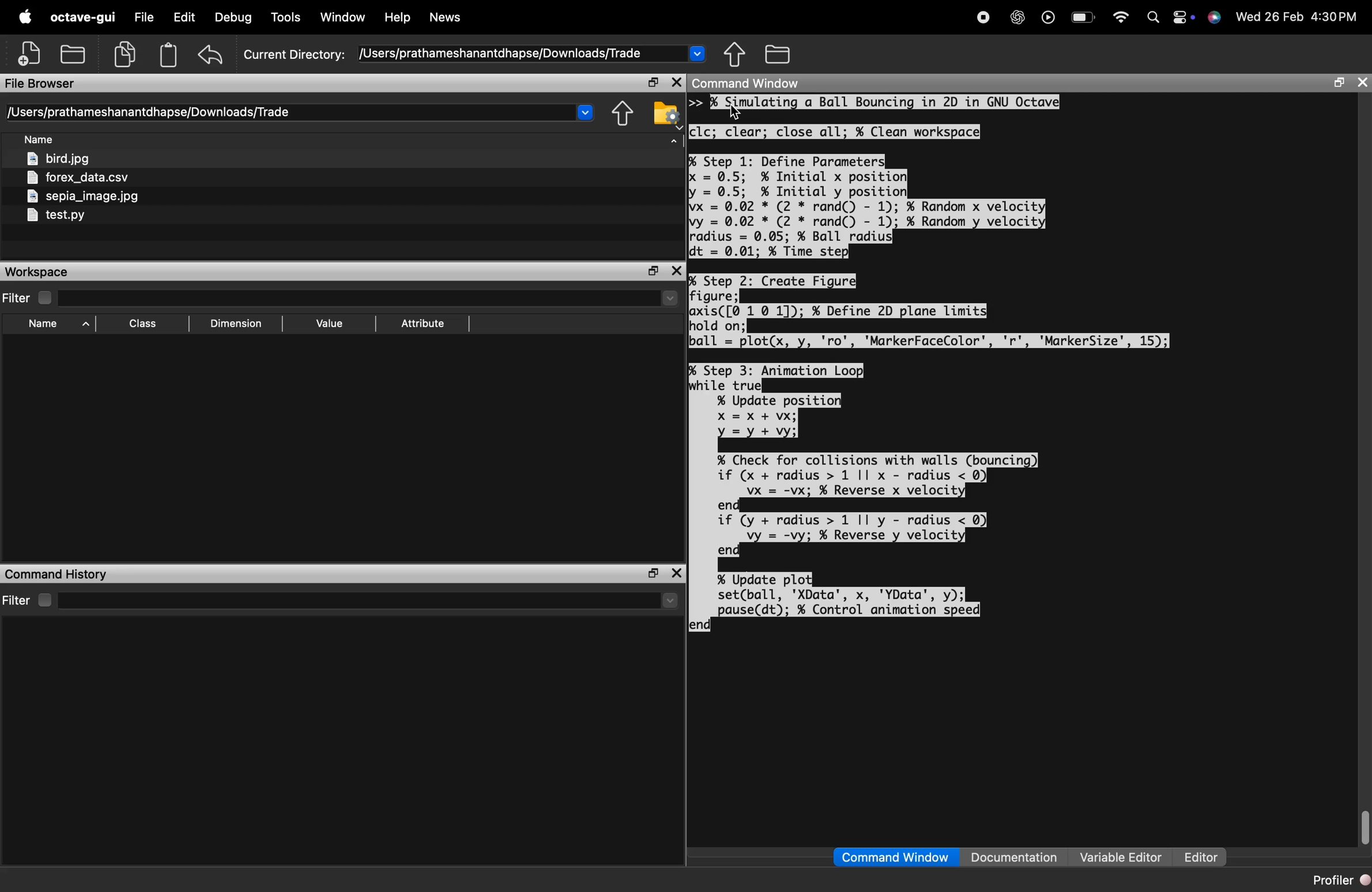  Describe the element at coordinates (446, 17) in the screenshot. I see `News` at that location.